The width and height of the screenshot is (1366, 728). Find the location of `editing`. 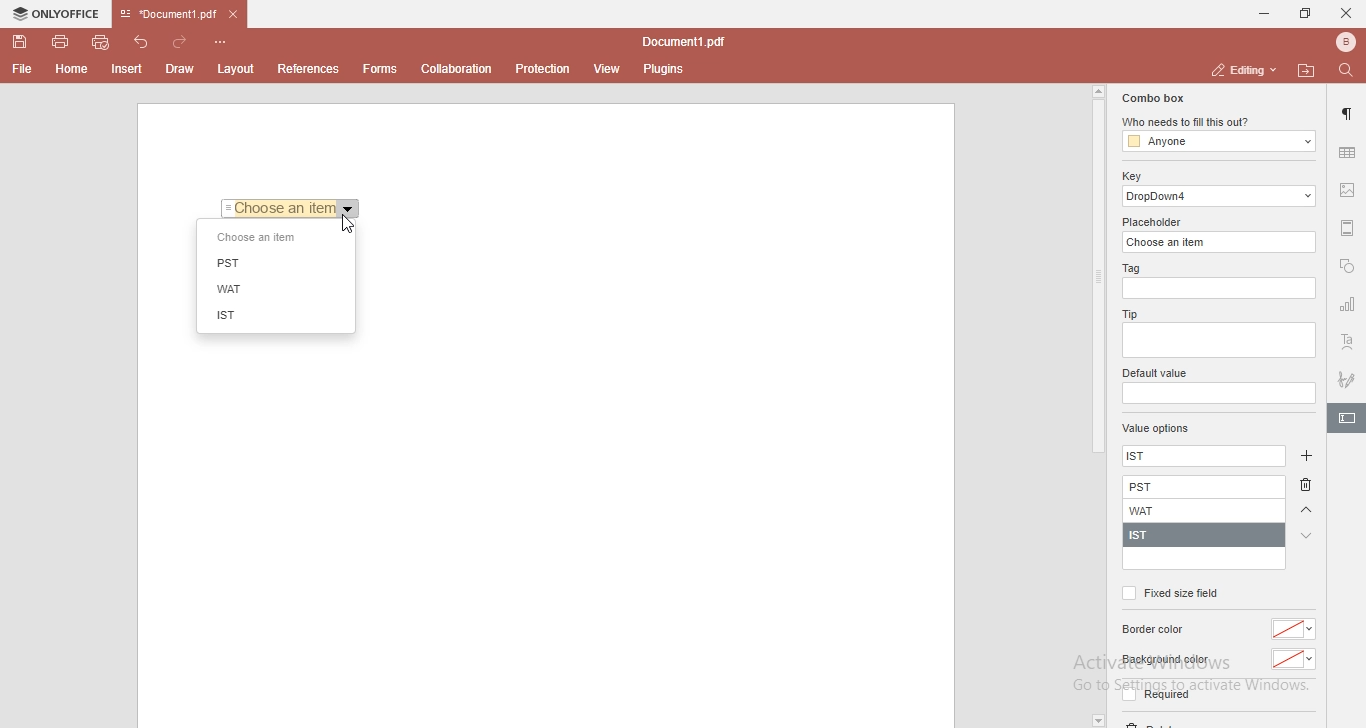

editing is located at coordinates (1241, 69).